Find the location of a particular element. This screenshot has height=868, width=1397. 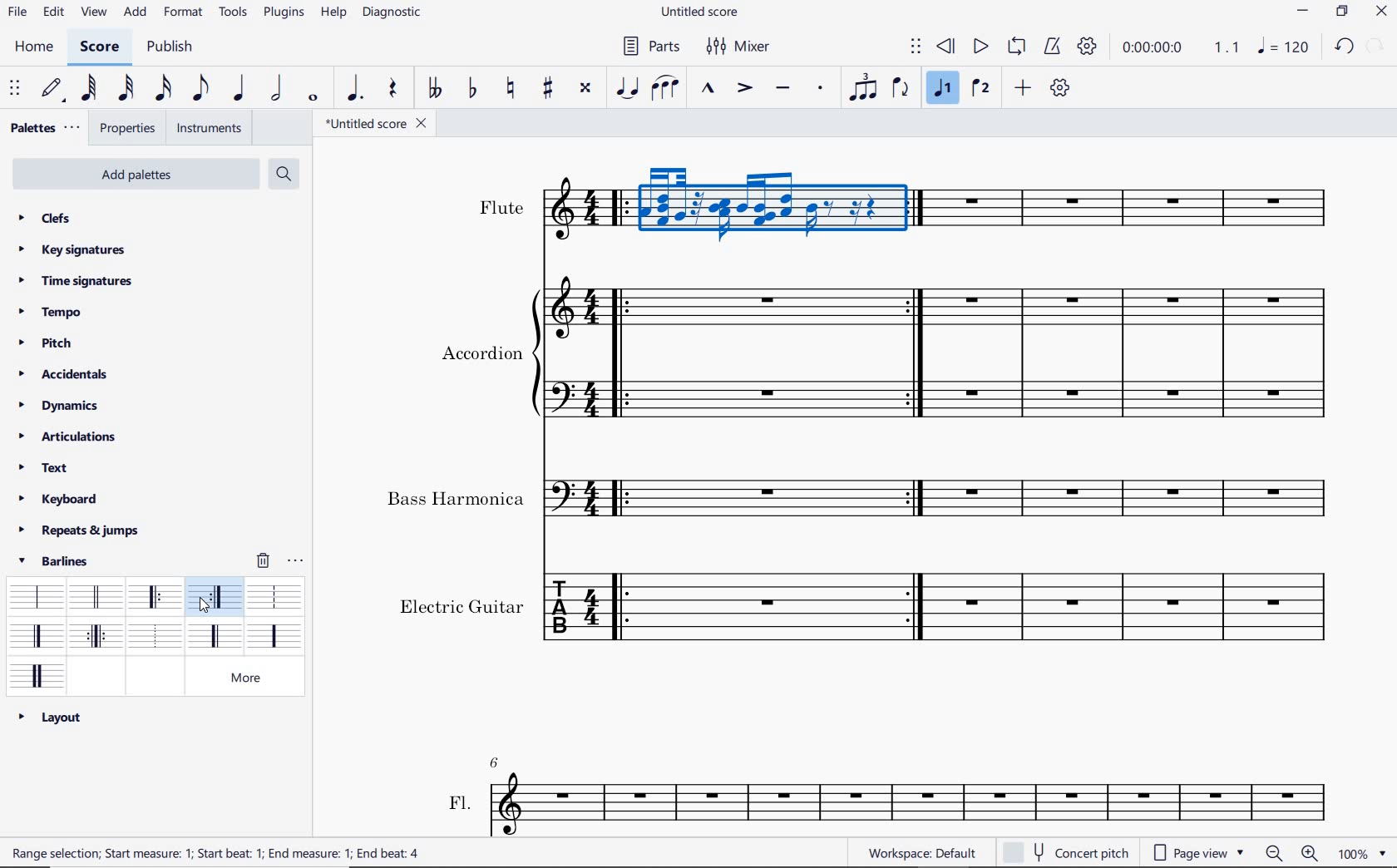

tempo is located at coordinates (51, 311).